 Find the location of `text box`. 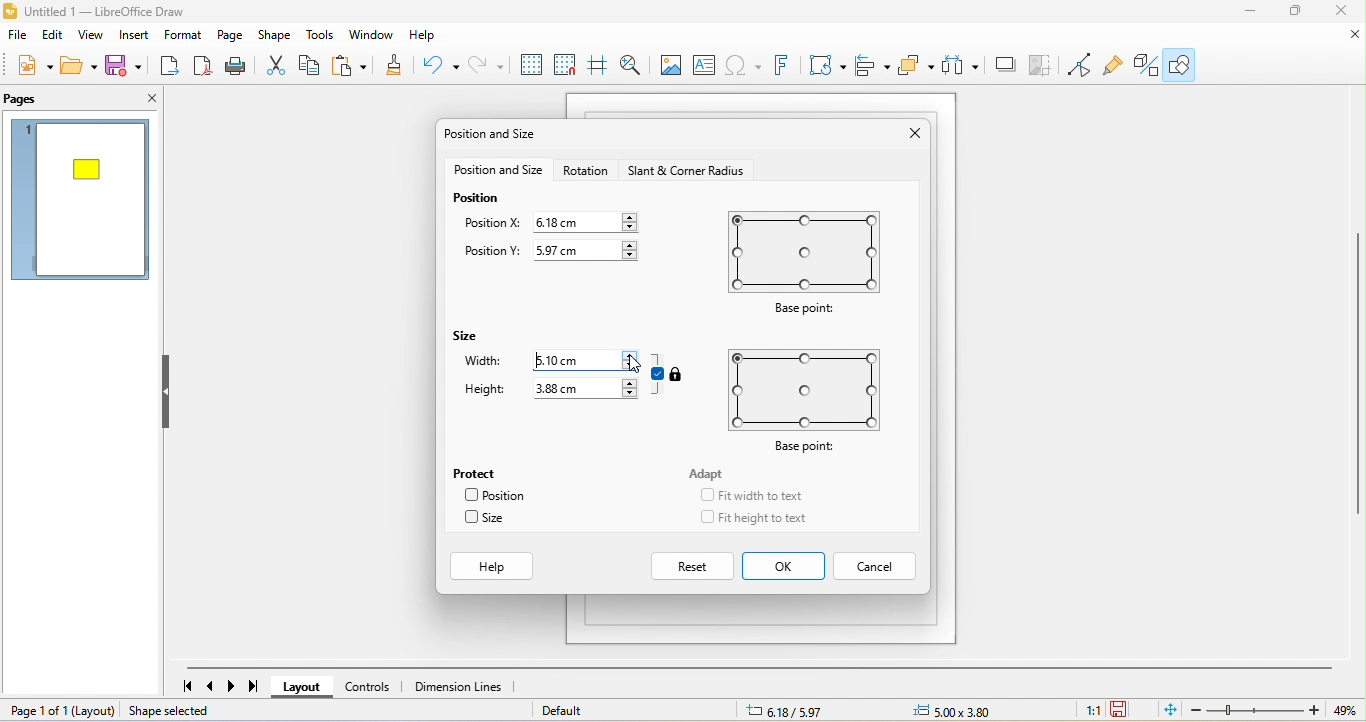

text box is located at coordinates (706, 64).